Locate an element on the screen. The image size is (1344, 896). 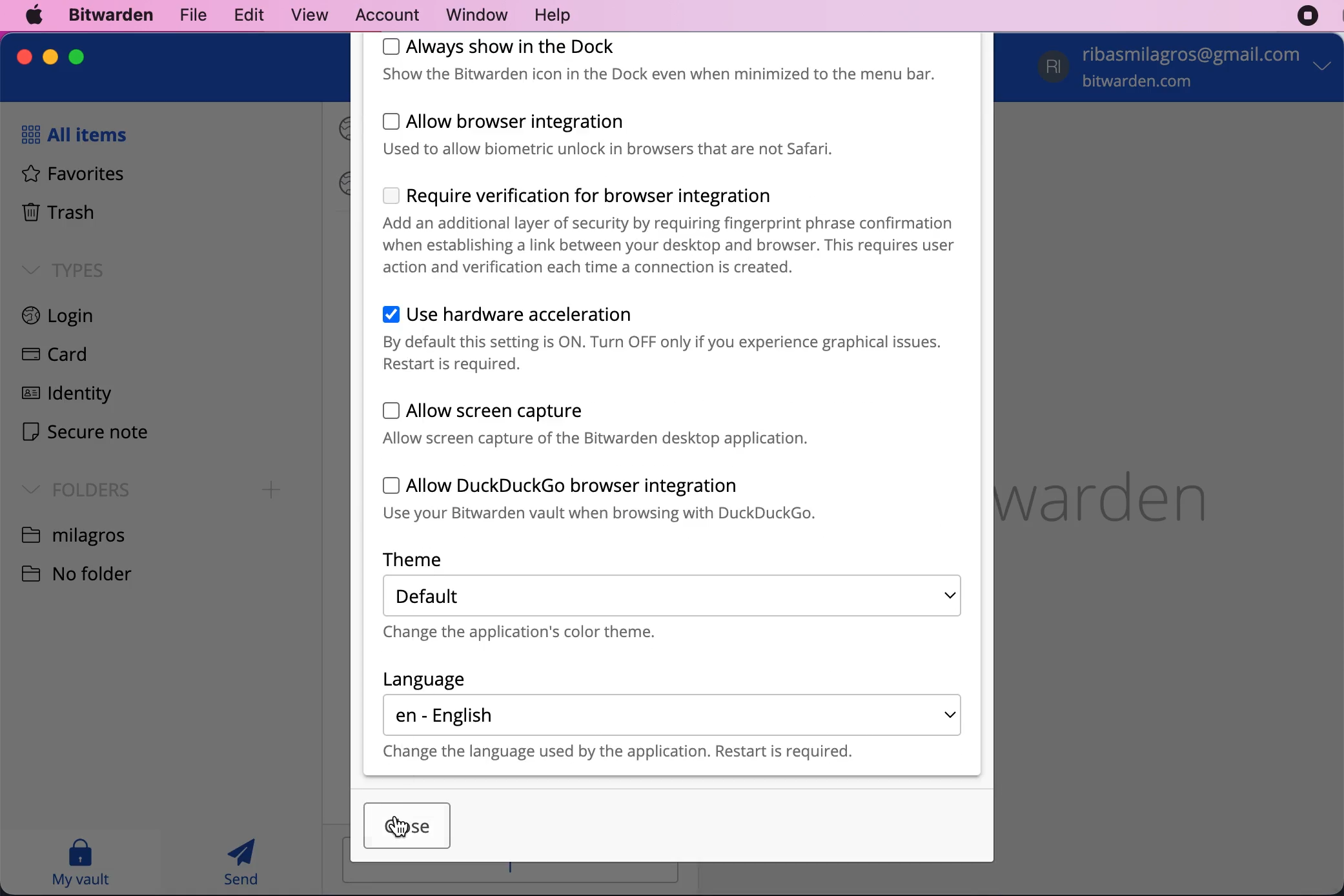
card is located at coordinates (50, 356).